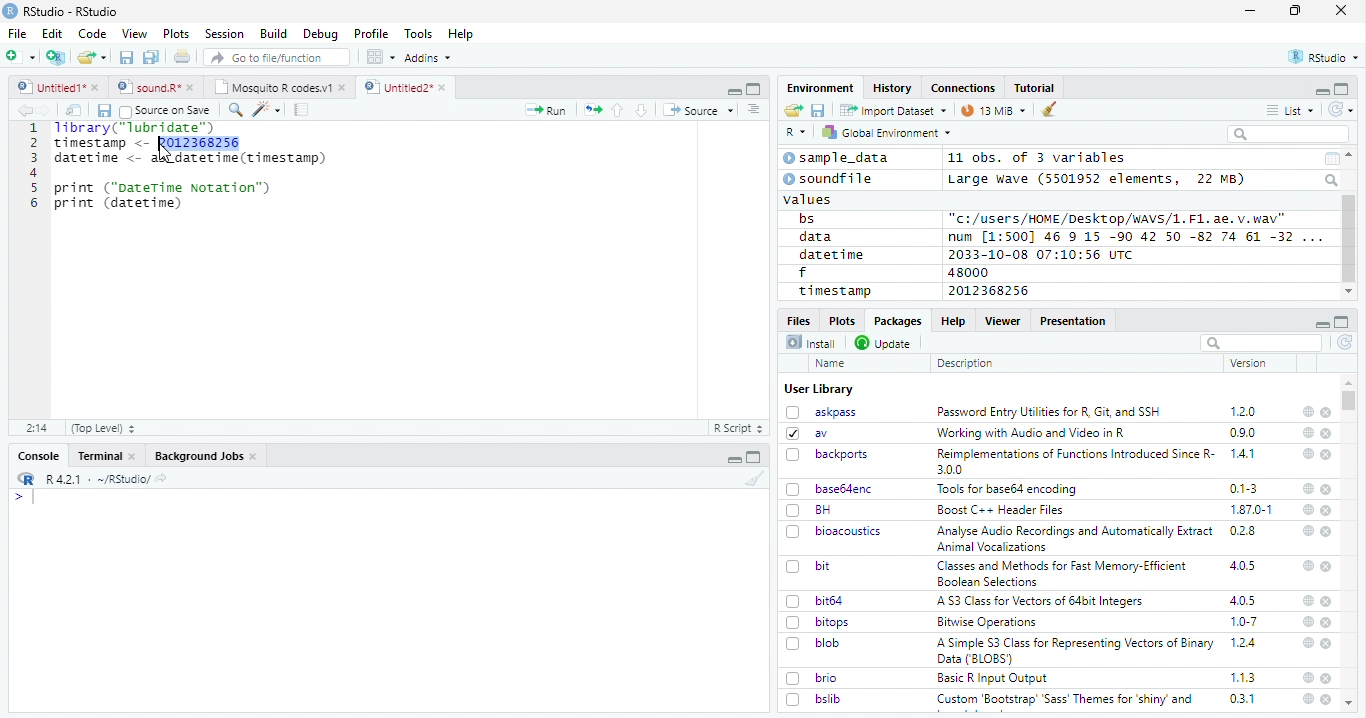 This screenshot has width=1366, height=718. I want to click on 1.87.0-1, so click(1251, 510).